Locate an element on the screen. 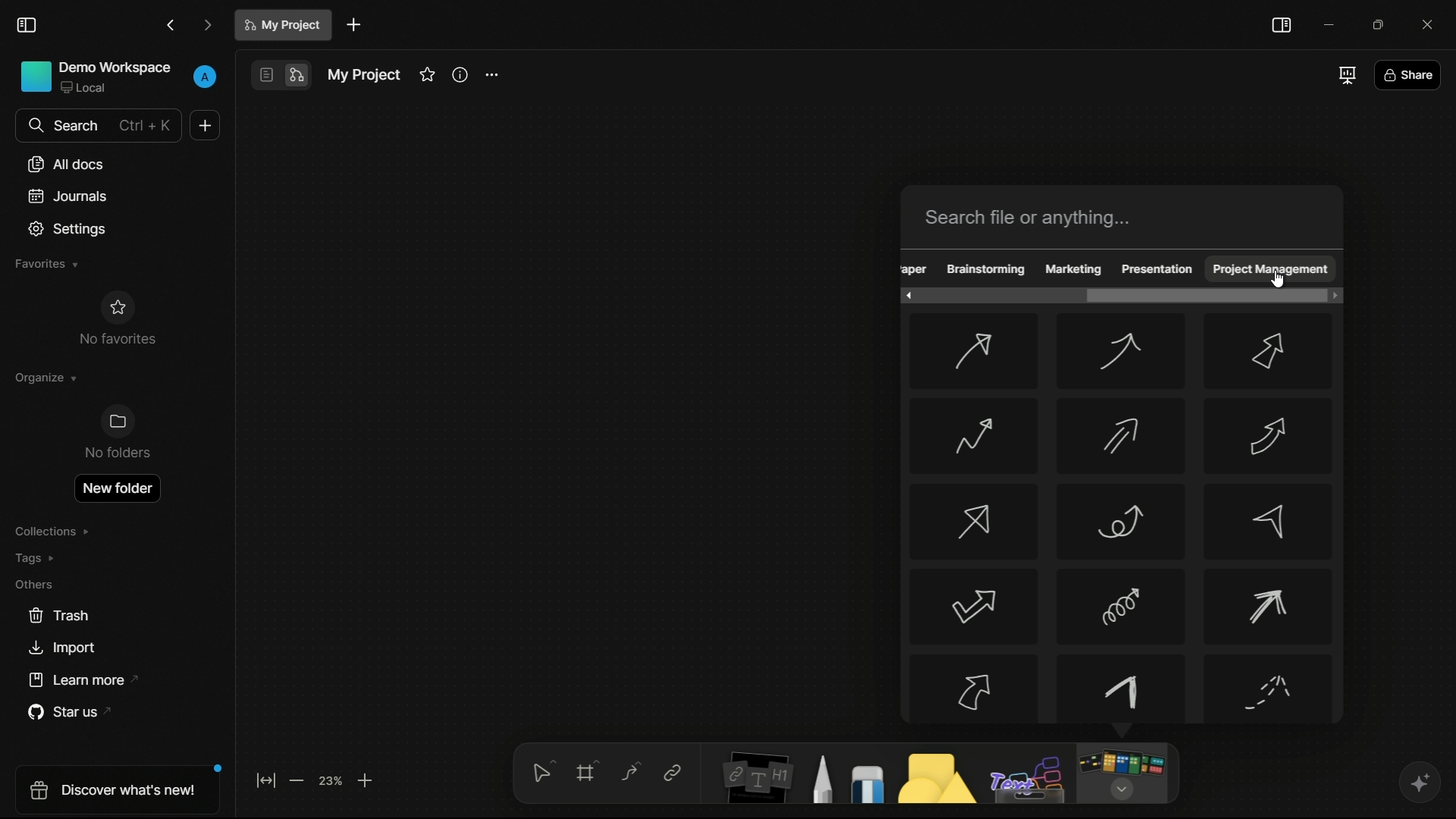 This screenshot has height=819, width=1456. maximize or restore is located at coordinates (1384, 24).